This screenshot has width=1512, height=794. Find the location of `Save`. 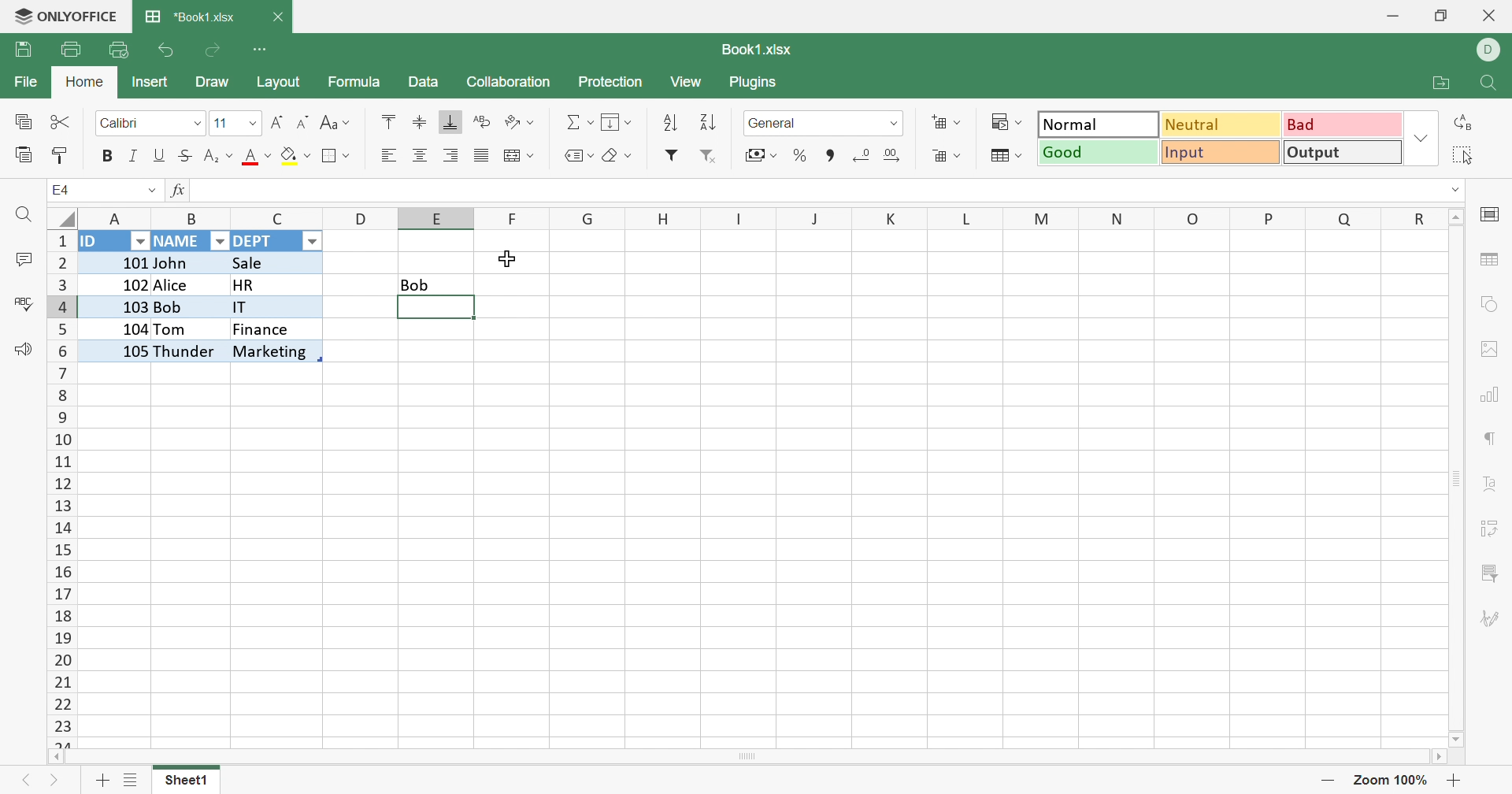

Save is located at coordinates (23, 50).